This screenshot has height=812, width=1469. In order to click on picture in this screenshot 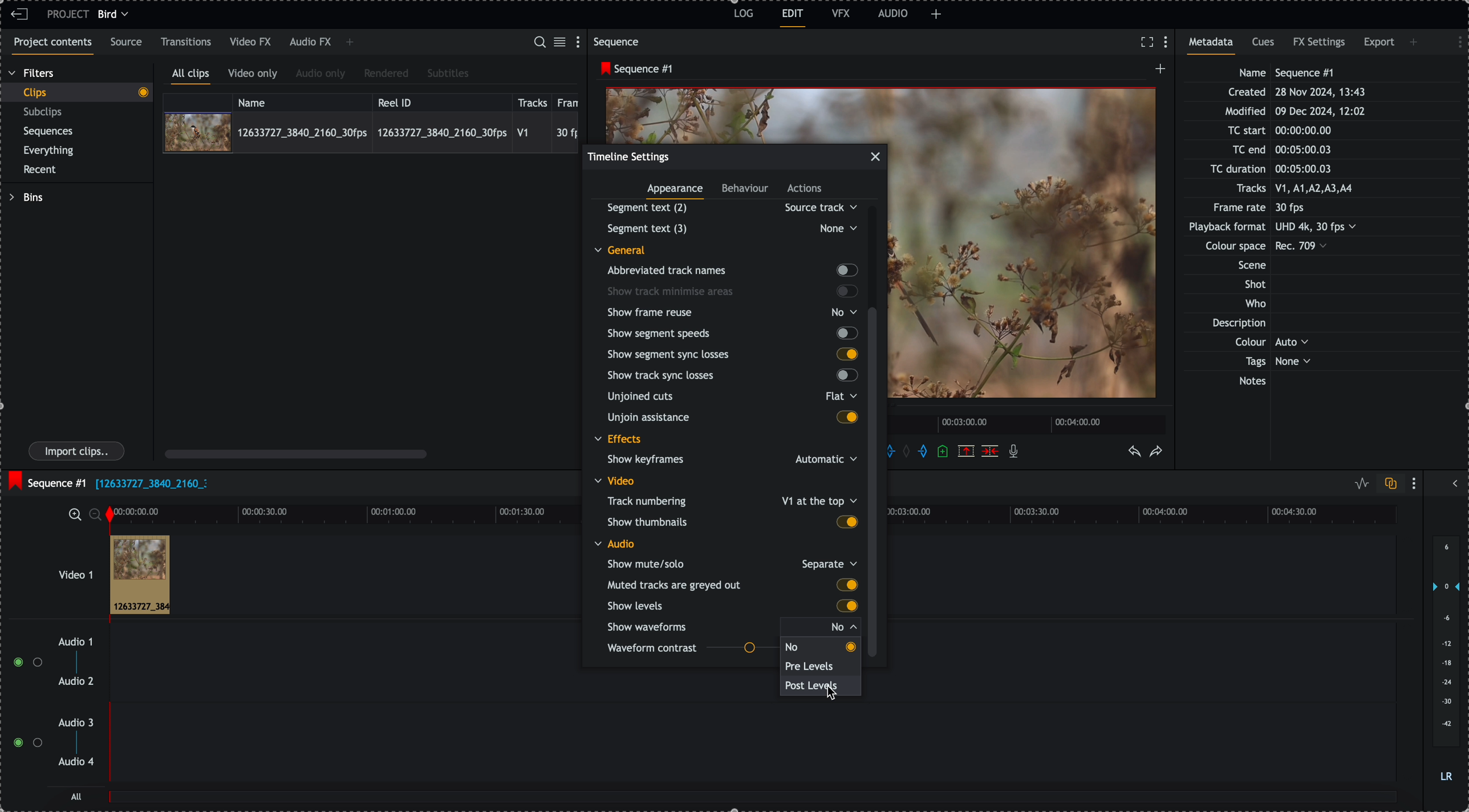, I will do `click(1027, 250)`.